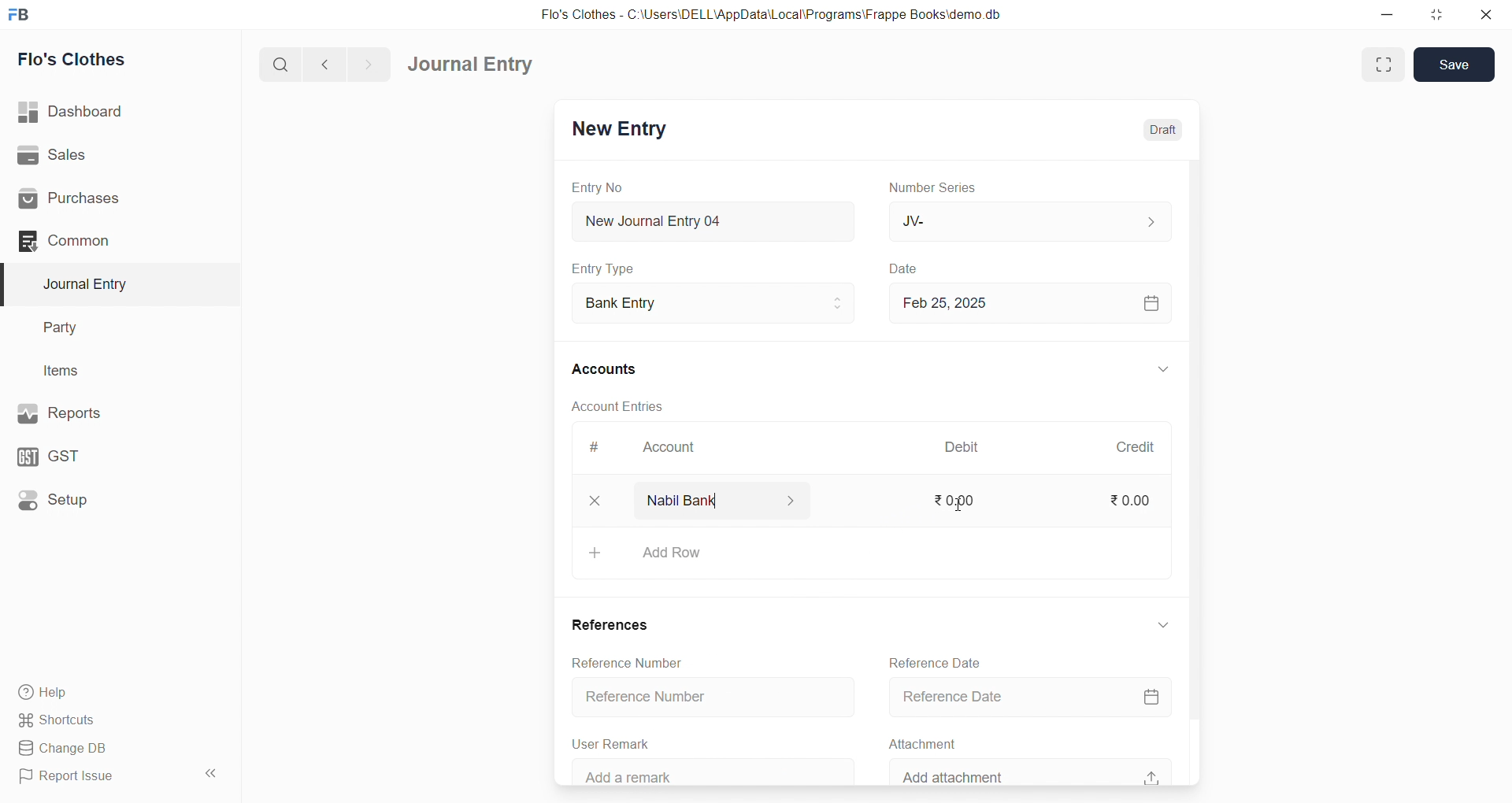 Image resolution: width=1512 pixels, height=803 pixels. What do you see at coordinates (109, 453) in the screenshot?
I see `GST` at bounding box center [109, 453].